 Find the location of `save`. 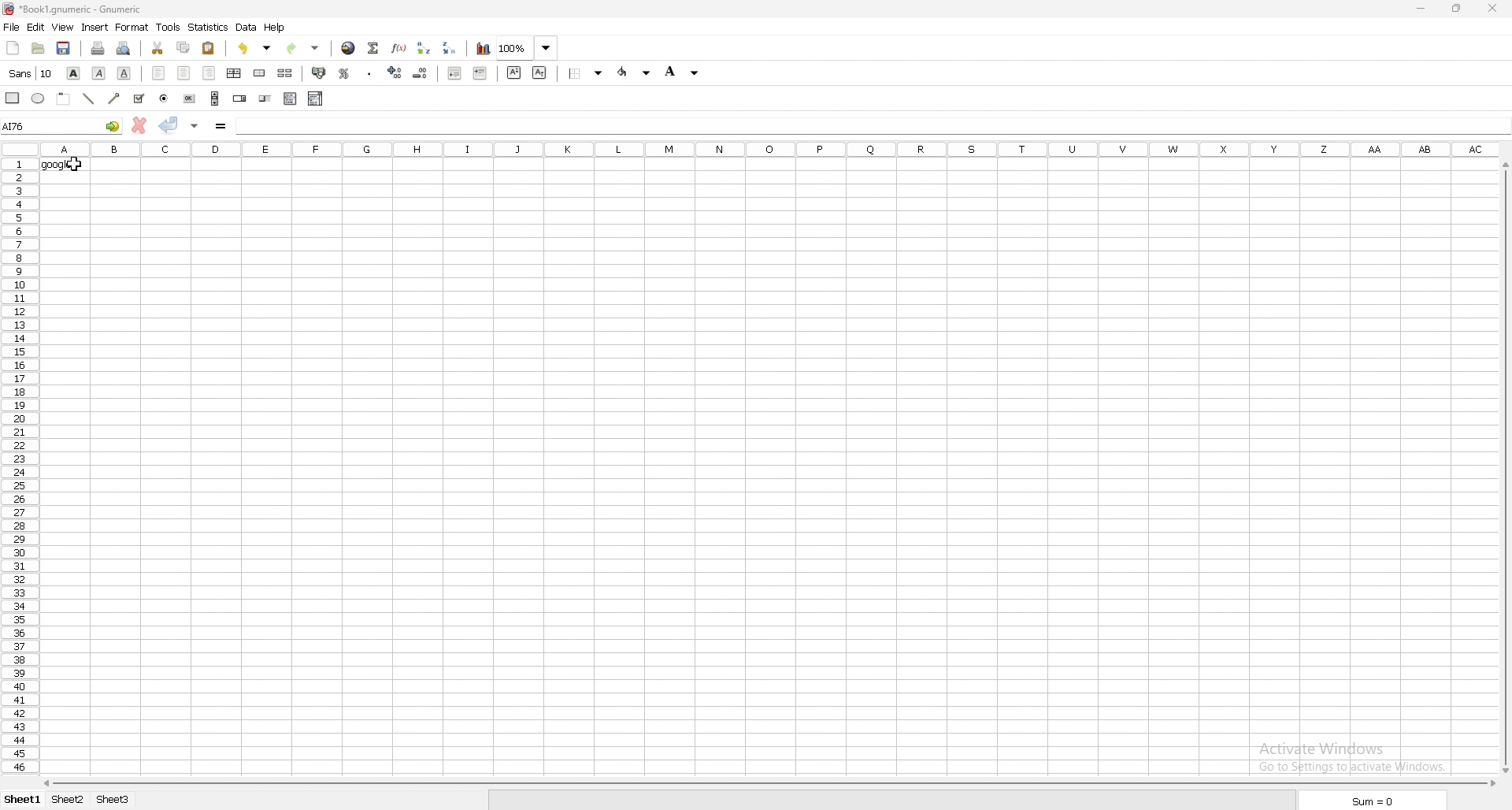

save is located at coordinates (66, 48).